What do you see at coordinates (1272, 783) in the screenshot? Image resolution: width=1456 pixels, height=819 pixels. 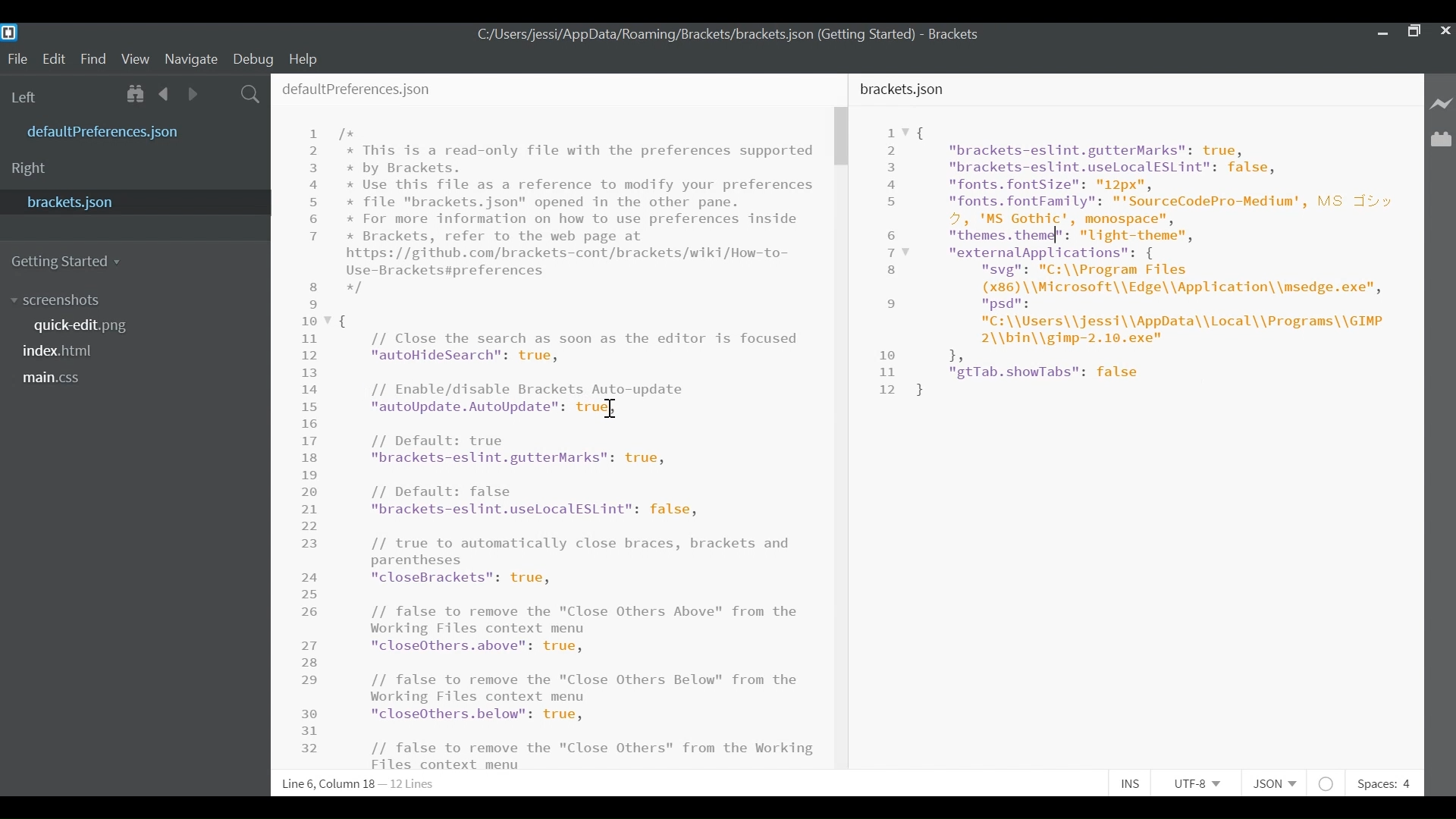 I see `Select File Type` at bounding box center [1272, 783].